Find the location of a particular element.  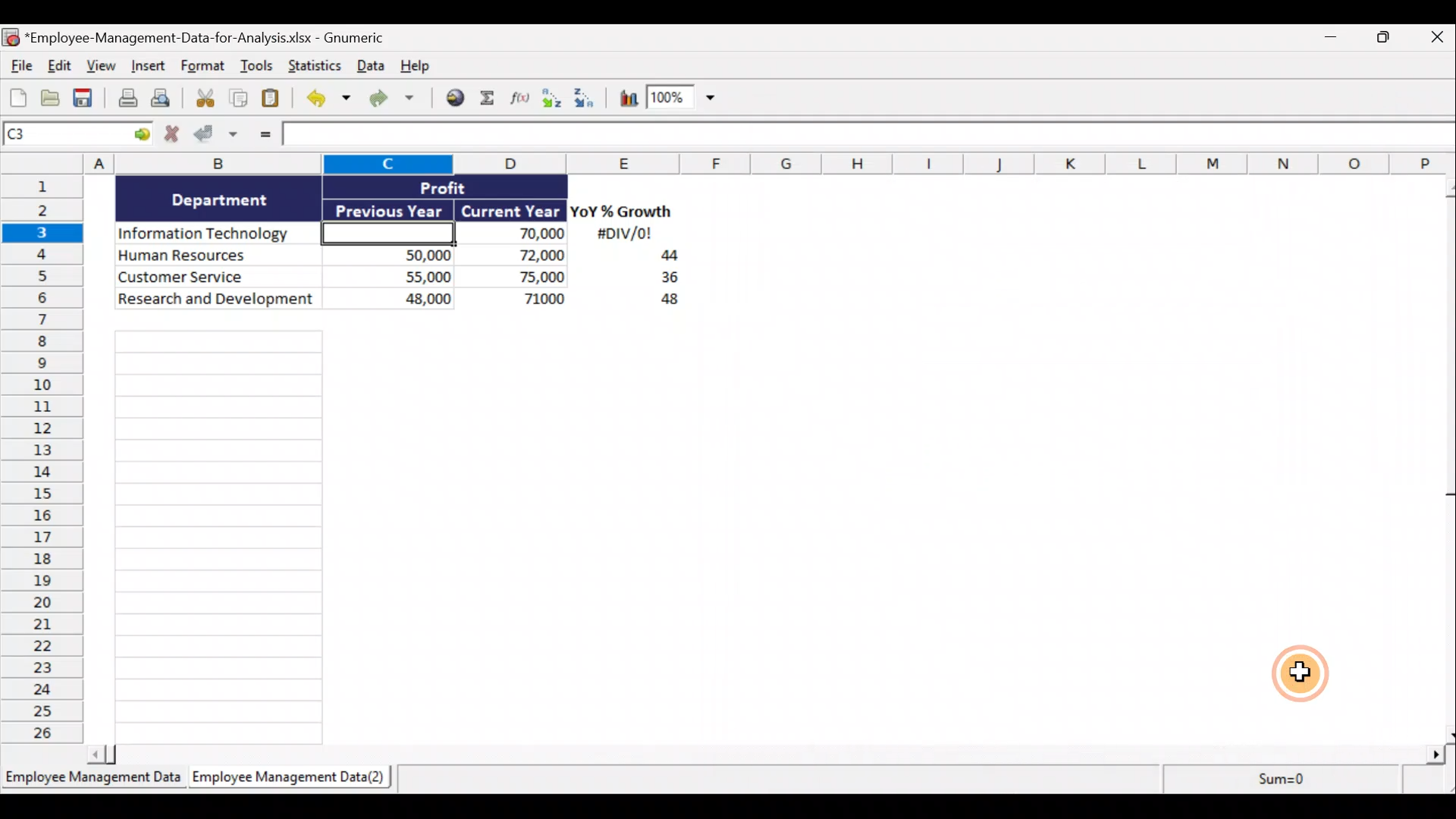

Zoom is located at coordinates (685, 101).